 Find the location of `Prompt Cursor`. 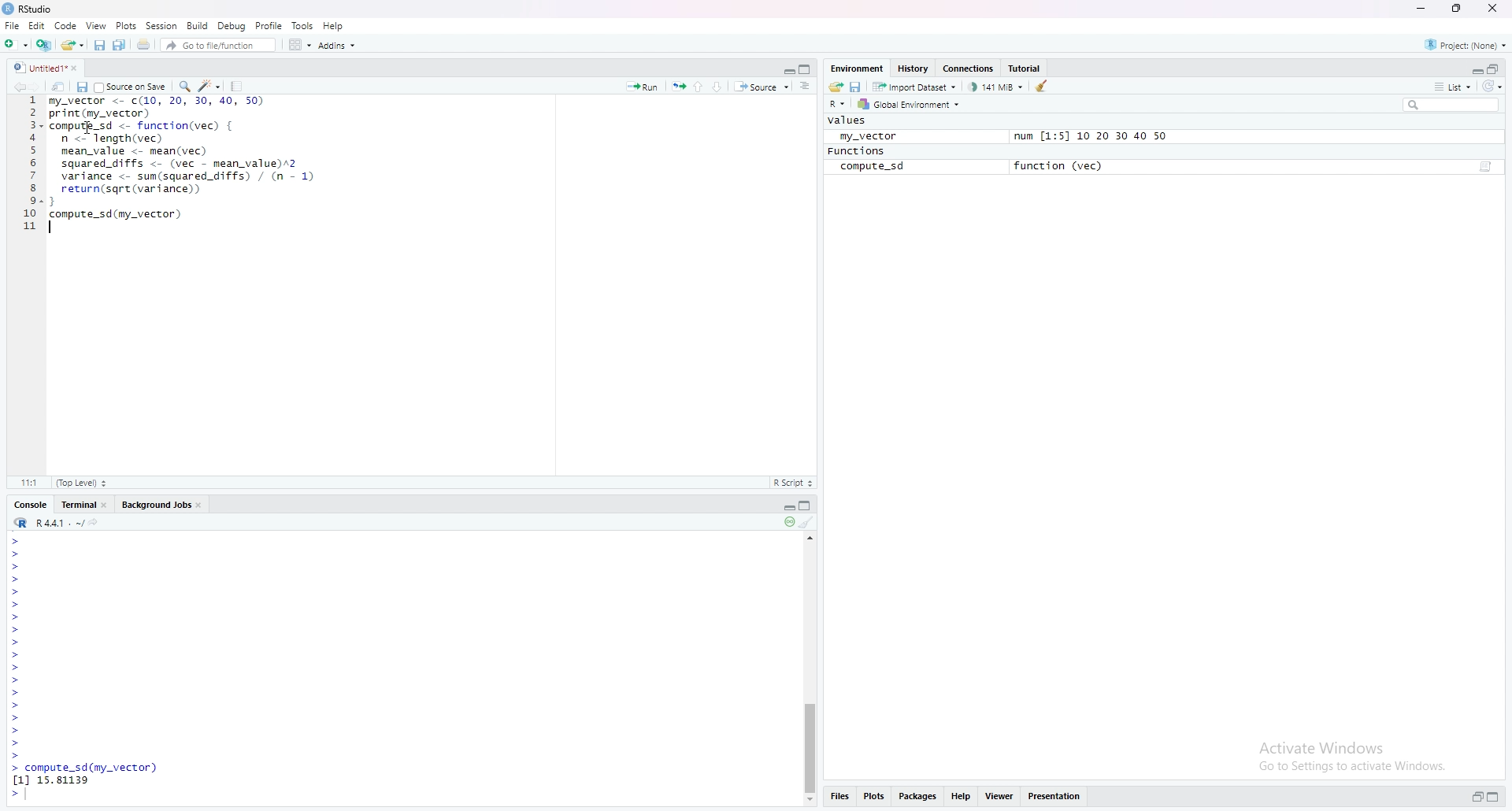

Prompt Cursor is located at coordinates (16, 591).